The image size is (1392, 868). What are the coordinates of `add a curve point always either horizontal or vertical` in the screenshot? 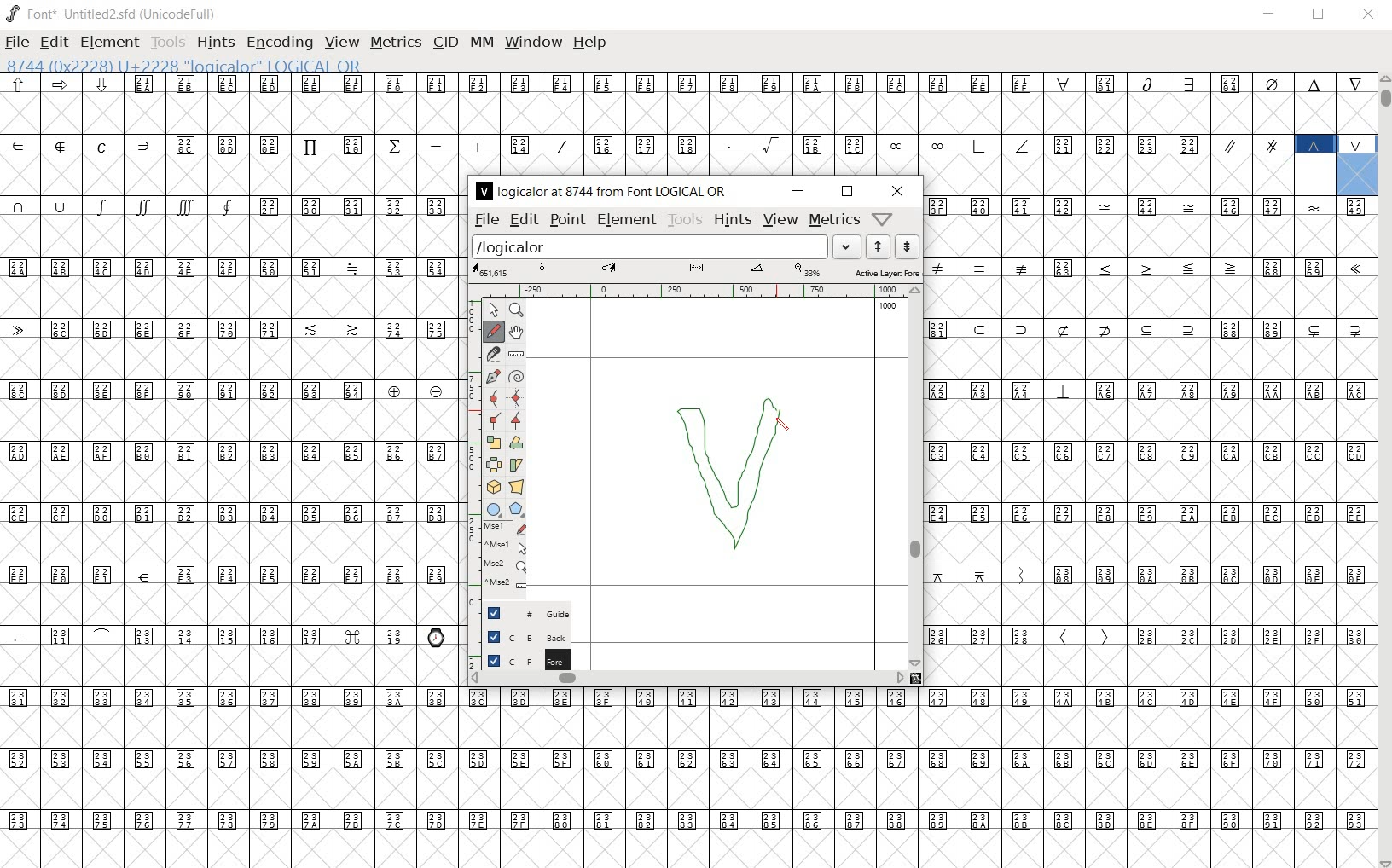 It's located at (491, 397).